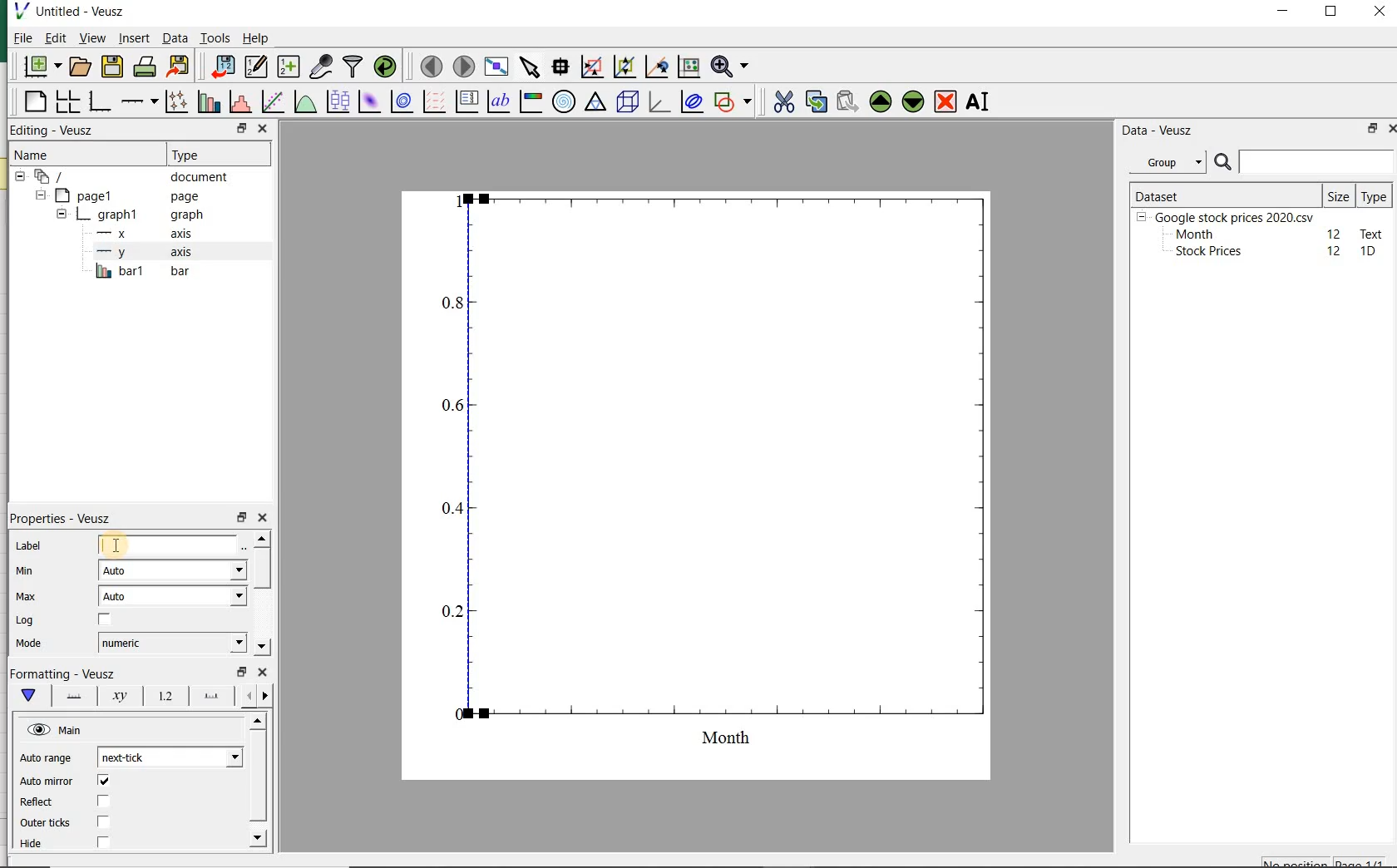 This screenshot has height=868, width=1397. What do you see at coordinates (815, 102) in the screenshot?
I see `copy the selected widget` at bounding box center [815, 102].